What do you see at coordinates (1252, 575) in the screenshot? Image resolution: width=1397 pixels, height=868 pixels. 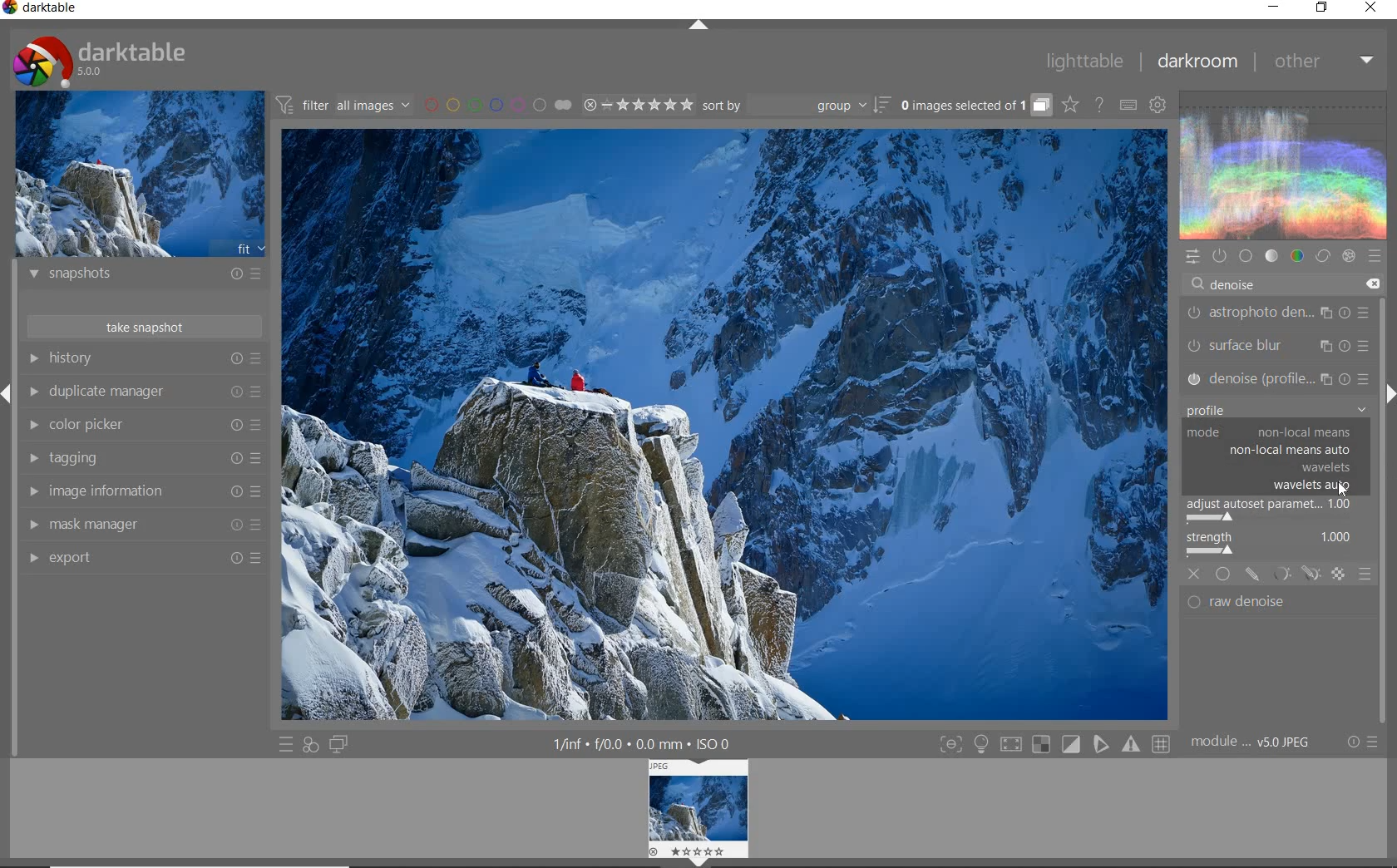 I see `DRAW MUSK` at bounding box center [1252, 575].